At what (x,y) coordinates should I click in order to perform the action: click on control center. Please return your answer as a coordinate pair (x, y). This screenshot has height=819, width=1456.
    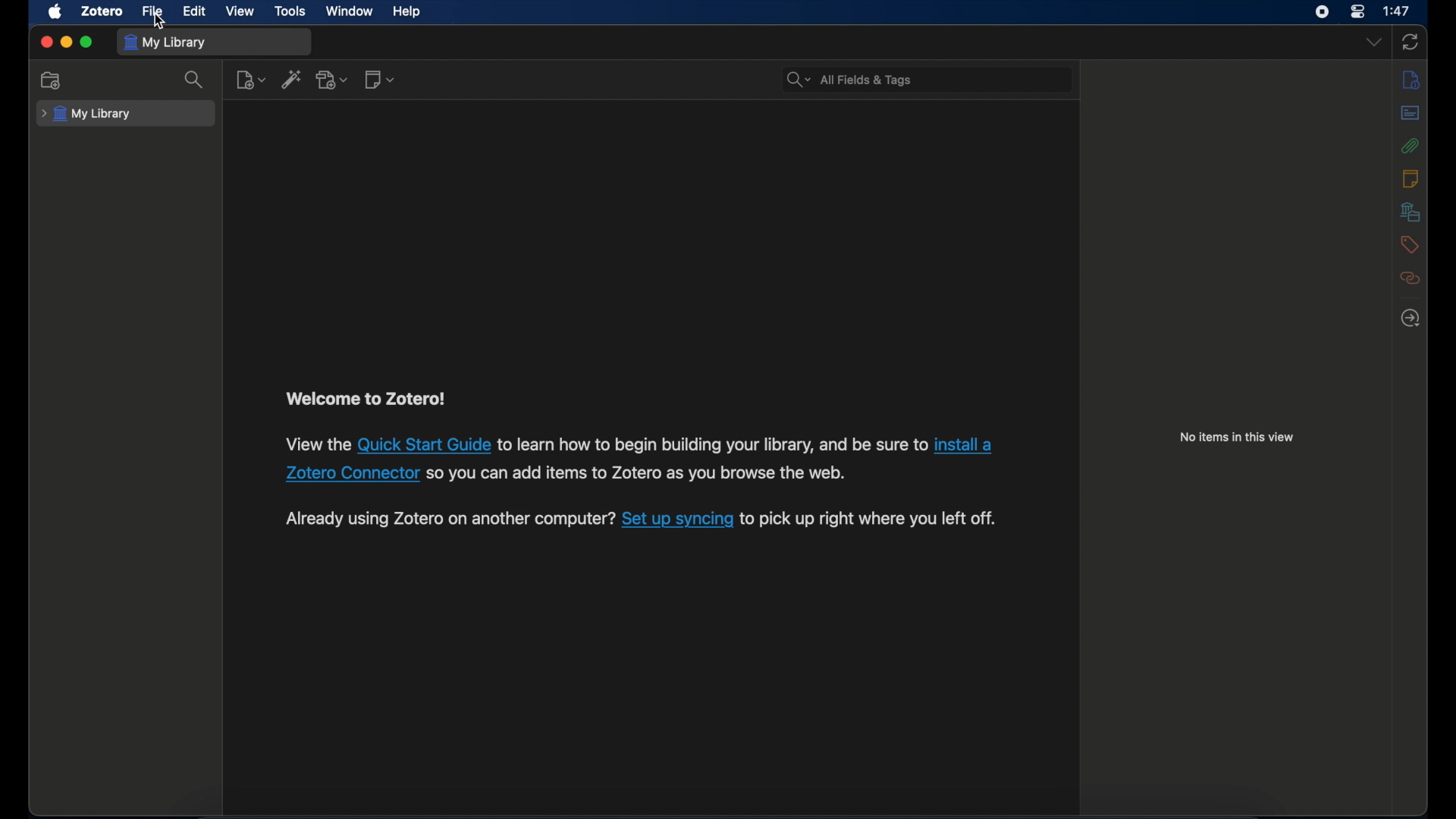
    Looking at the image, I should click on (1360, 11).